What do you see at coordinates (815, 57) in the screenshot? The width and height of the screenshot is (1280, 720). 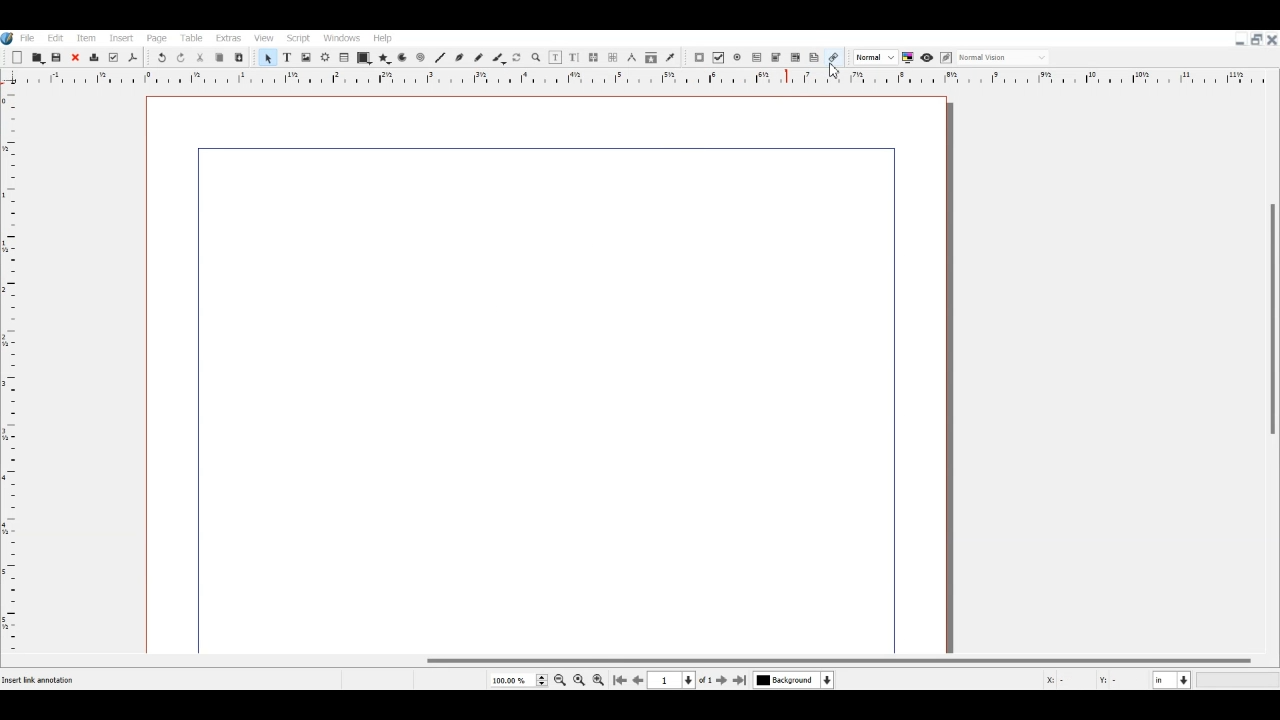 I see `Text Annotation ` at bounding box center [815, 57].